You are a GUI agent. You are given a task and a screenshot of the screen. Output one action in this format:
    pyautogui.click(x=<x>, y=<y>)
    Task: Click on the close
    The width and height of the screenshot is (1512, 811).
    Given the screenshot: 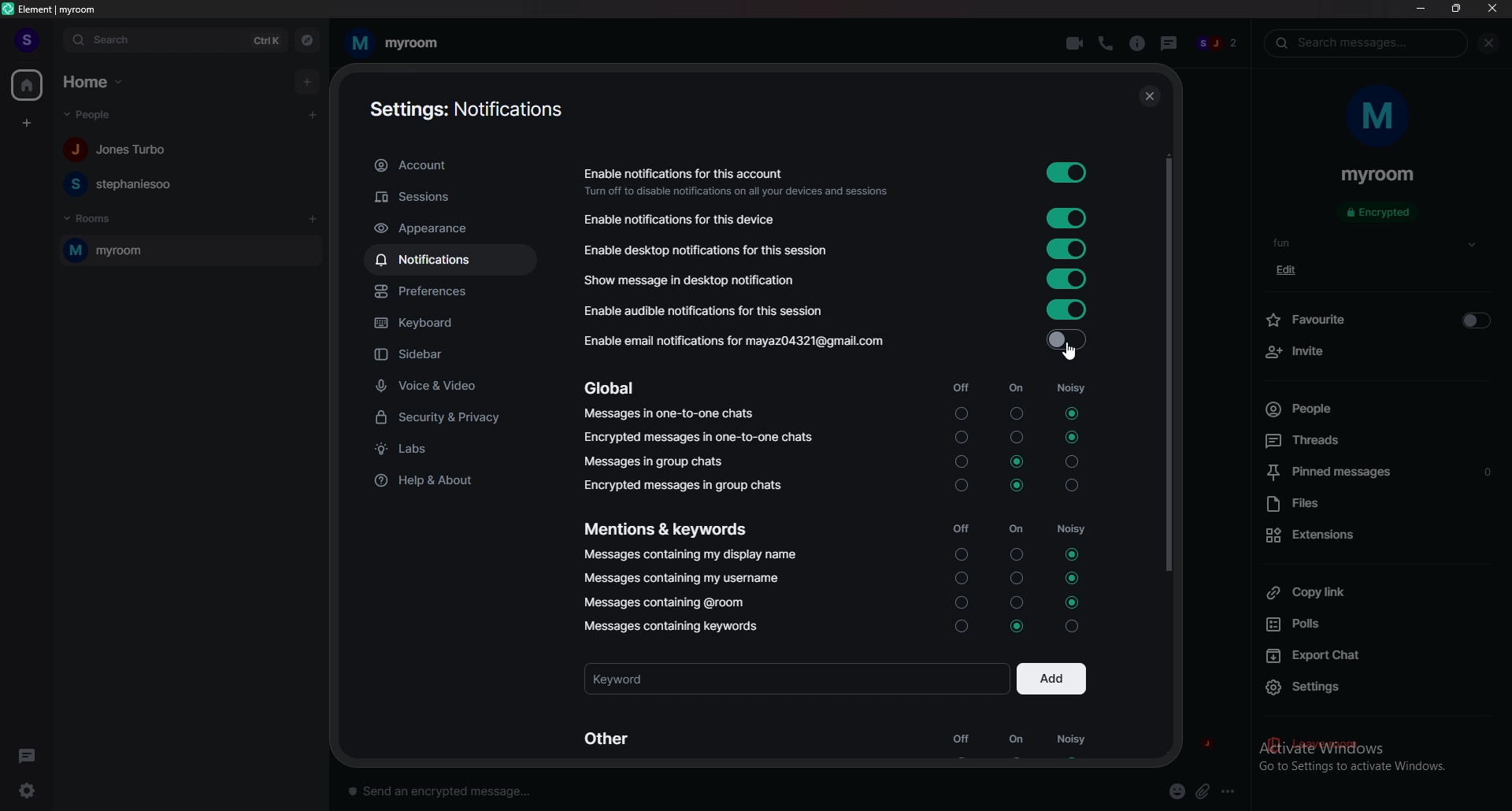 What is the action you would take?
    pyautogui.click(x=1147, y=96)
    